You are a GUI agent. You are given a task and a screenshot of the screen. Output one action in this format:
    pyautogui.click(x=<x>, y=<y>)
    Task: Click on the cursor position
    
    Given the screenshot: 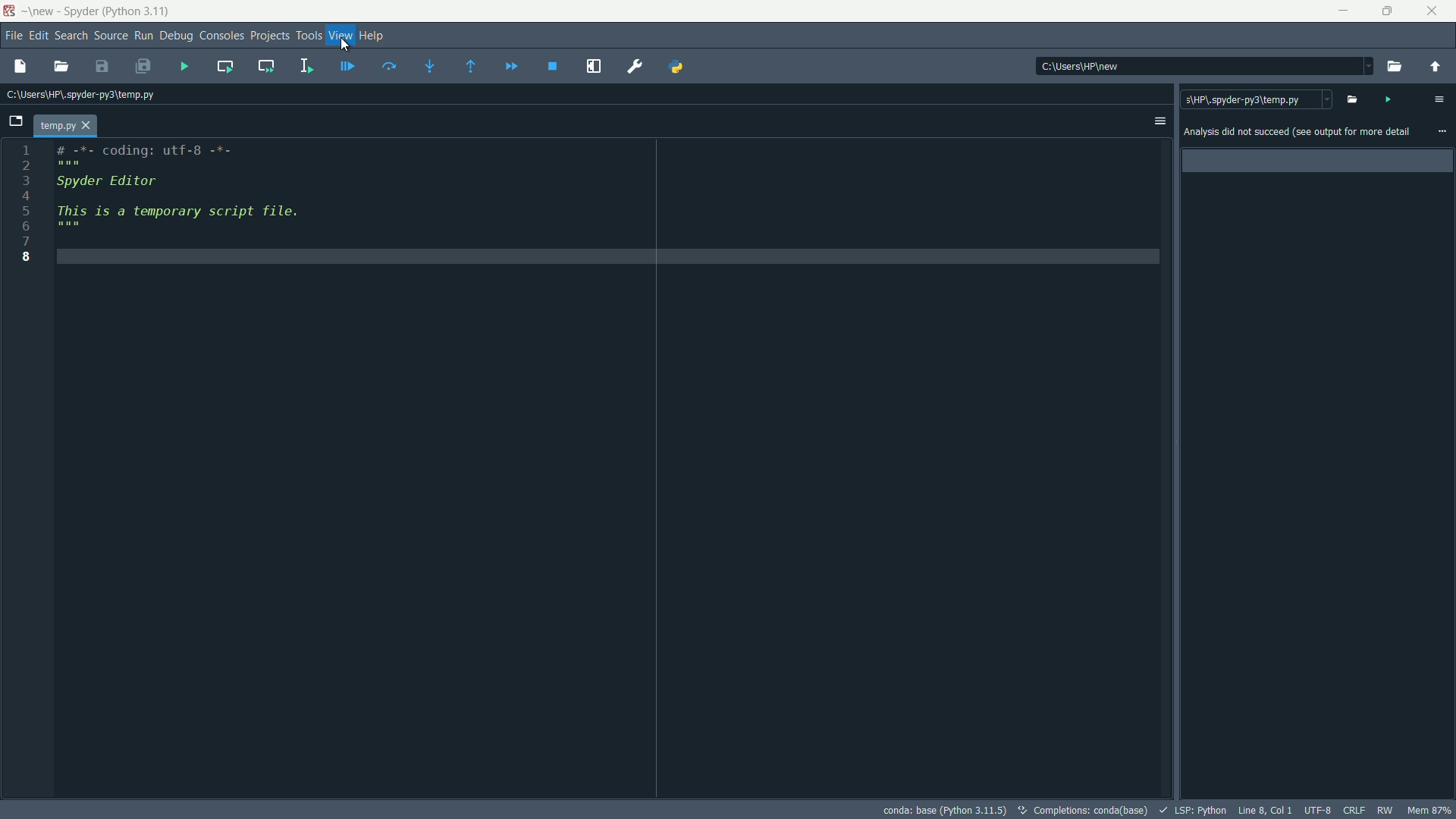 What is the action you would take?
    pyautogui.click(x=1264, y=809)
    